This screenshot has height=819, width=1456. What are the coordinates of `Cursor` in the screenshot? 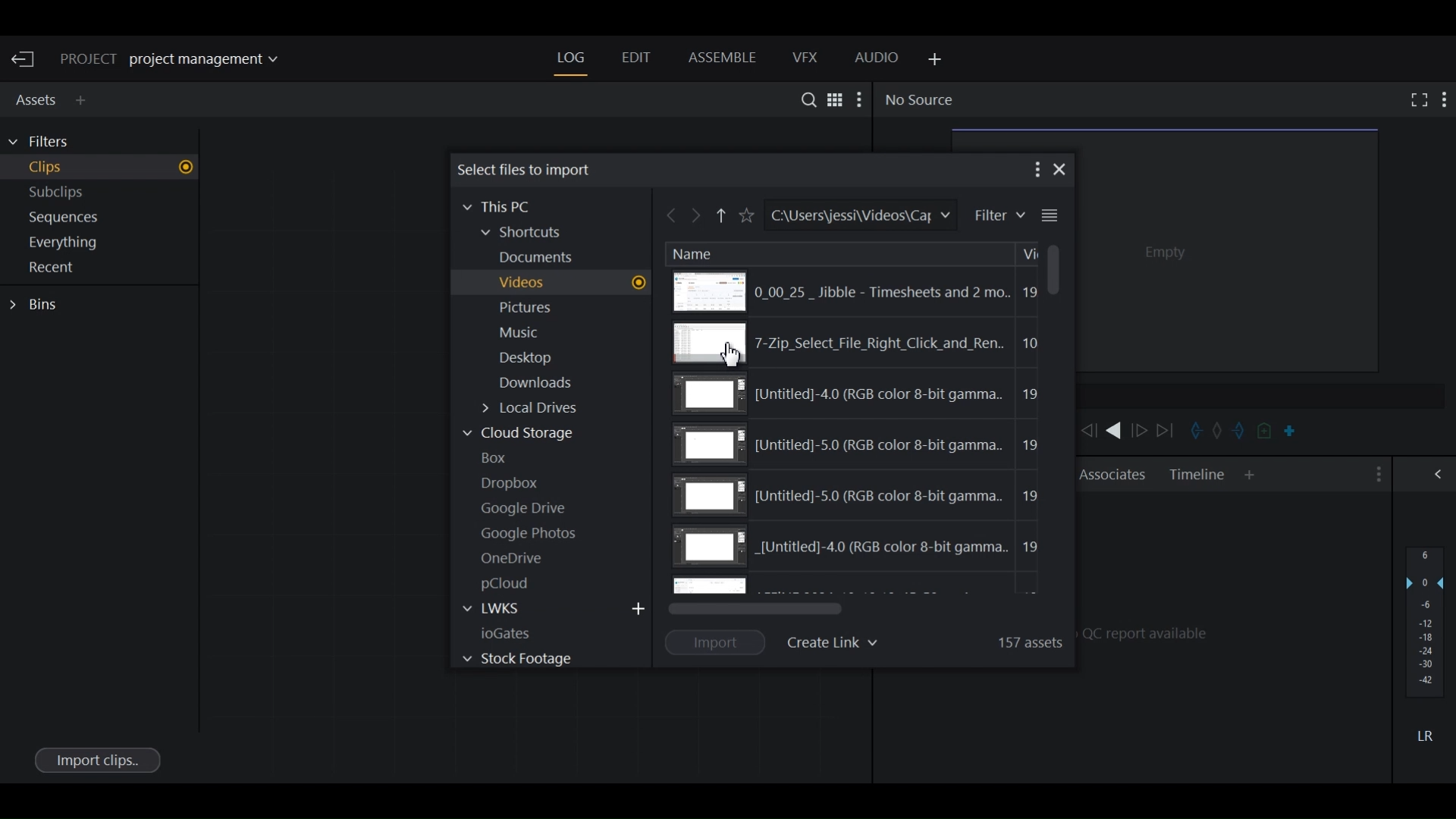 It's located at (731, 355).